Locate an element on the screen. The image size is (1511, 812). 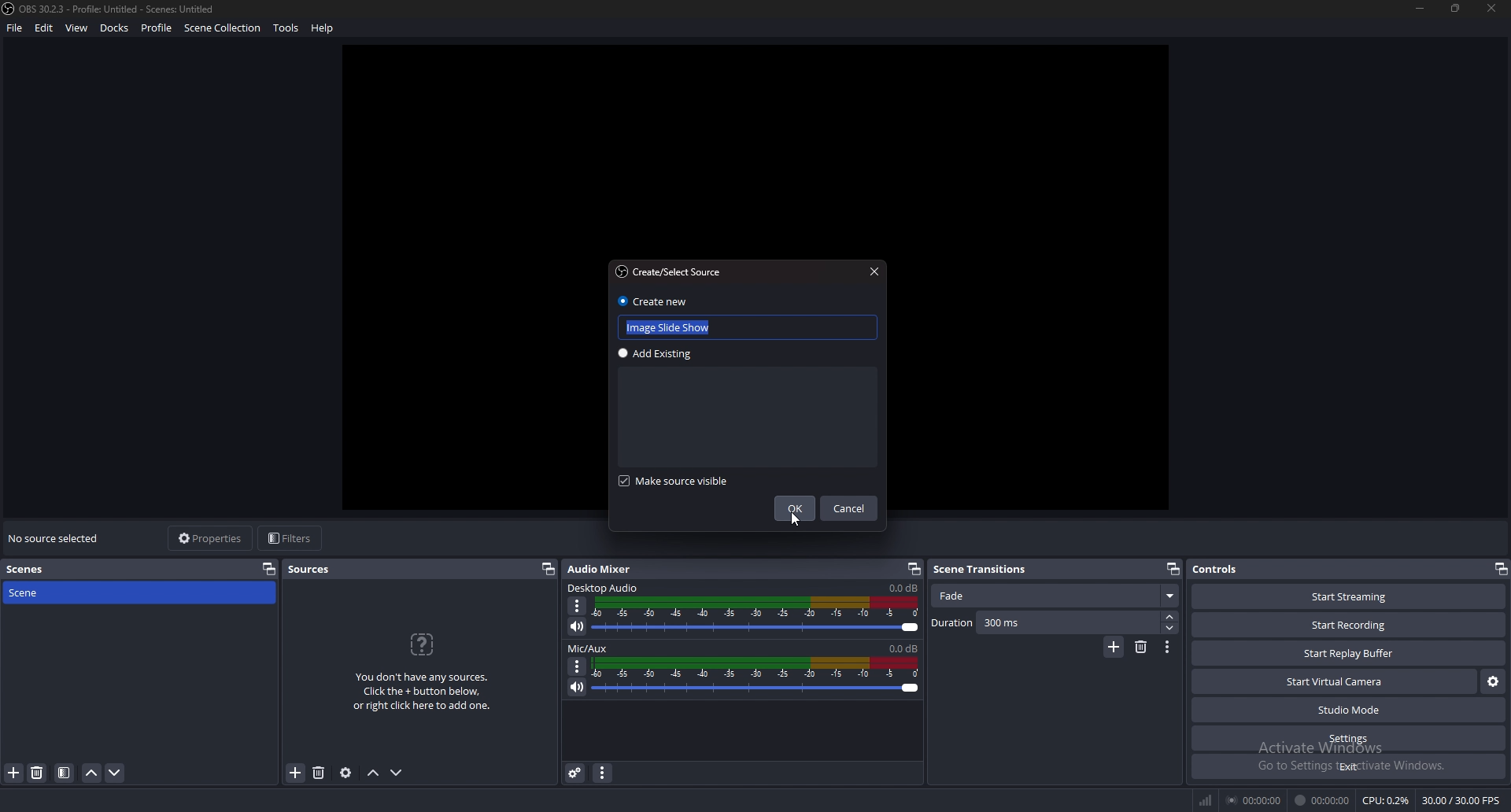
scene collection is located at coordinates (225, 28).